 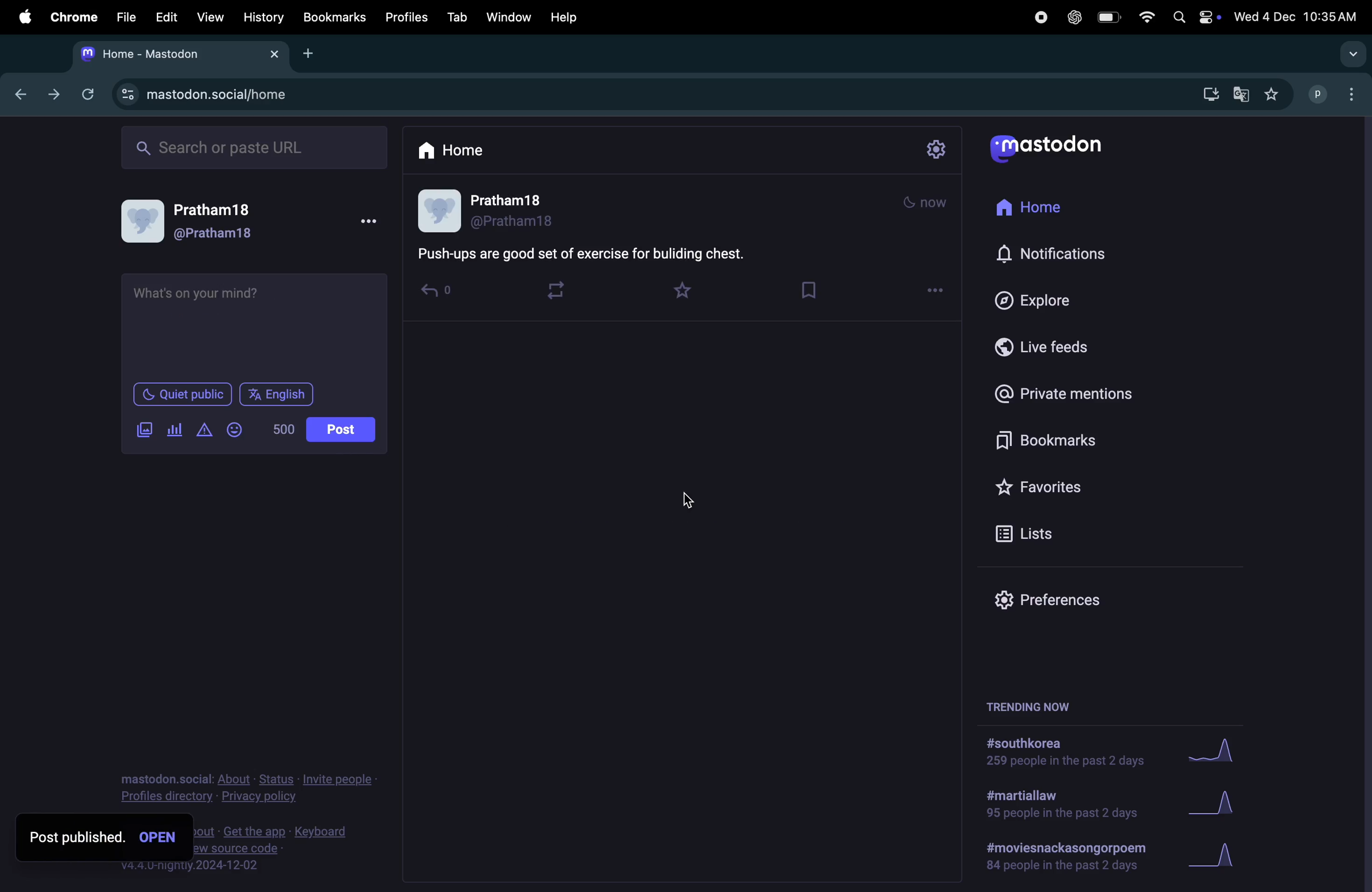 What do you see at coordinates (1222, 804) in the screenshot?
I see `Graph` at bounding box center [1222, 804].